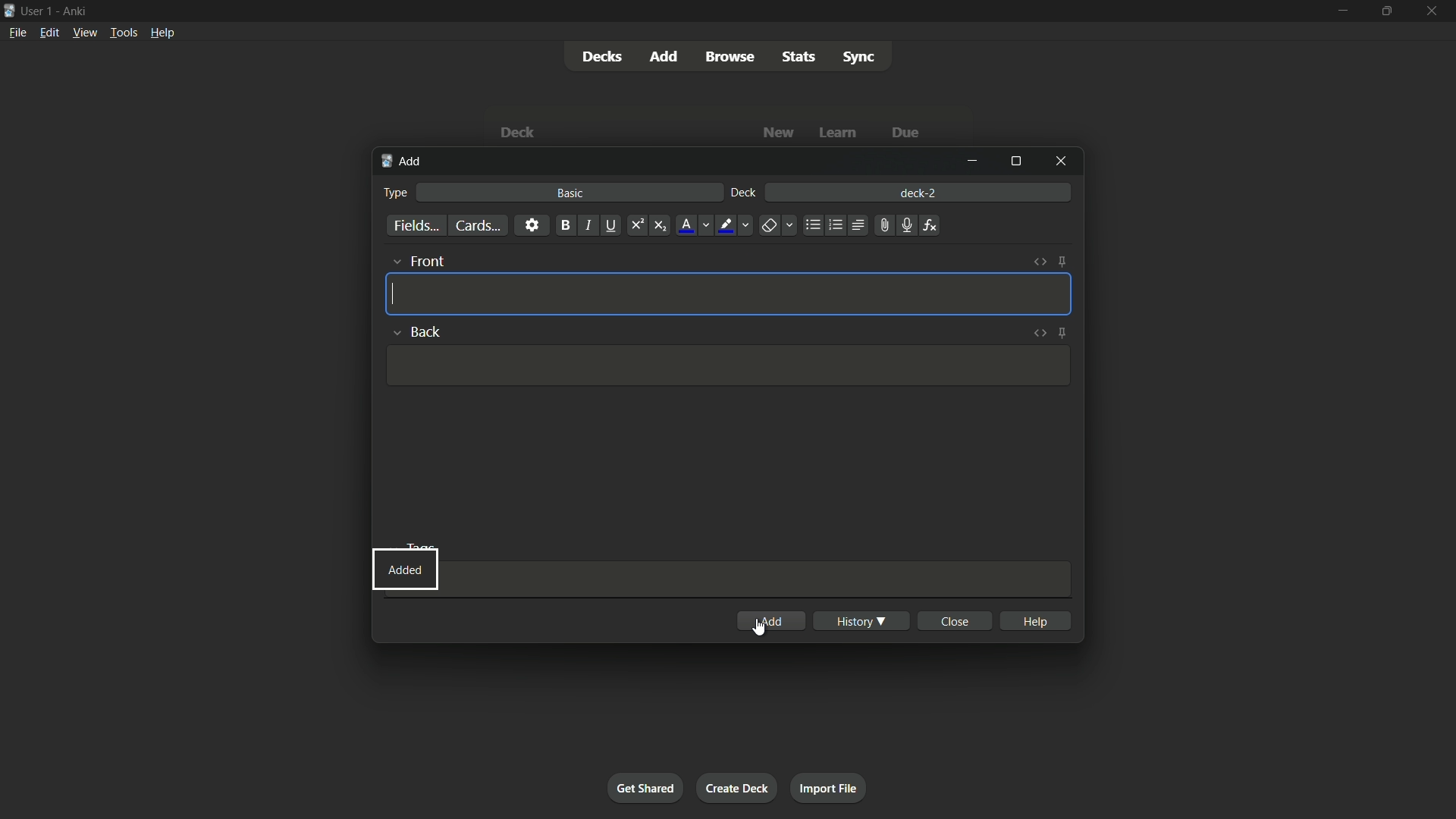  Describe the element at coordinates (758, 629) in the screenshot. I see `cursor` at that location.